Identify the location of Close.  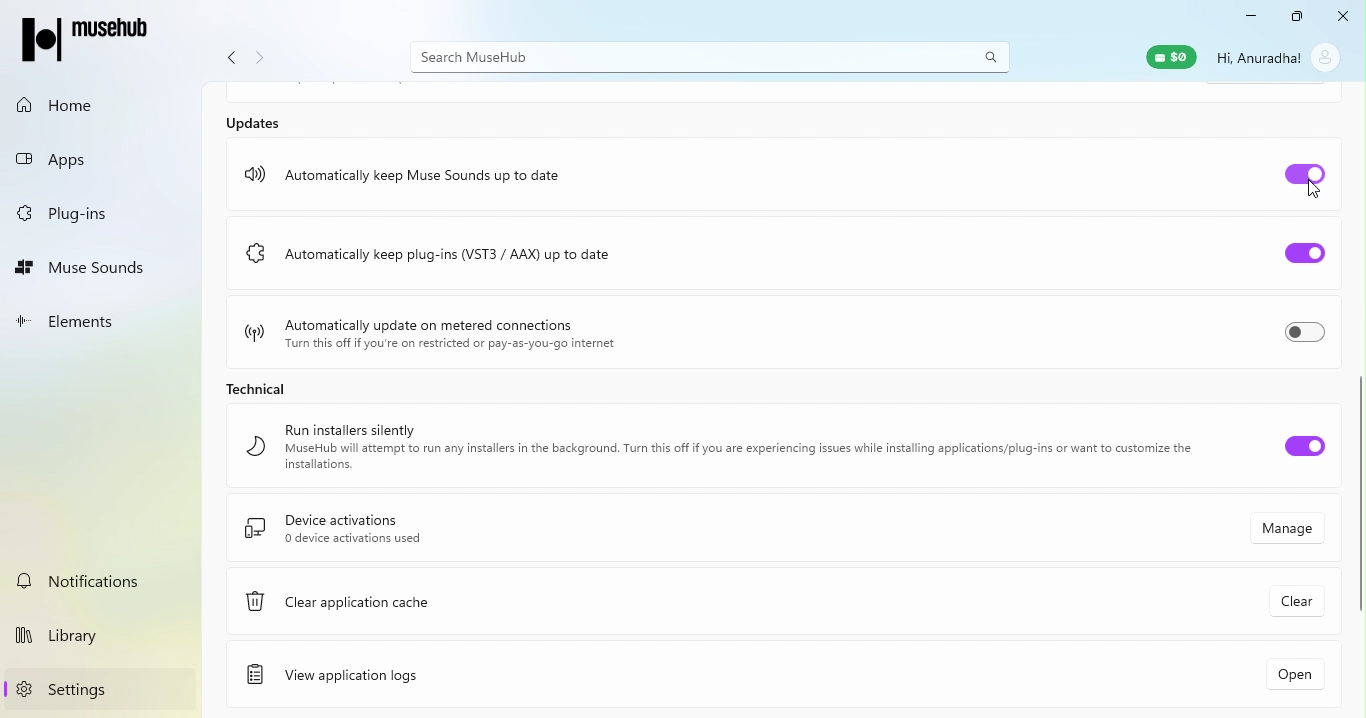
(1339, 17).